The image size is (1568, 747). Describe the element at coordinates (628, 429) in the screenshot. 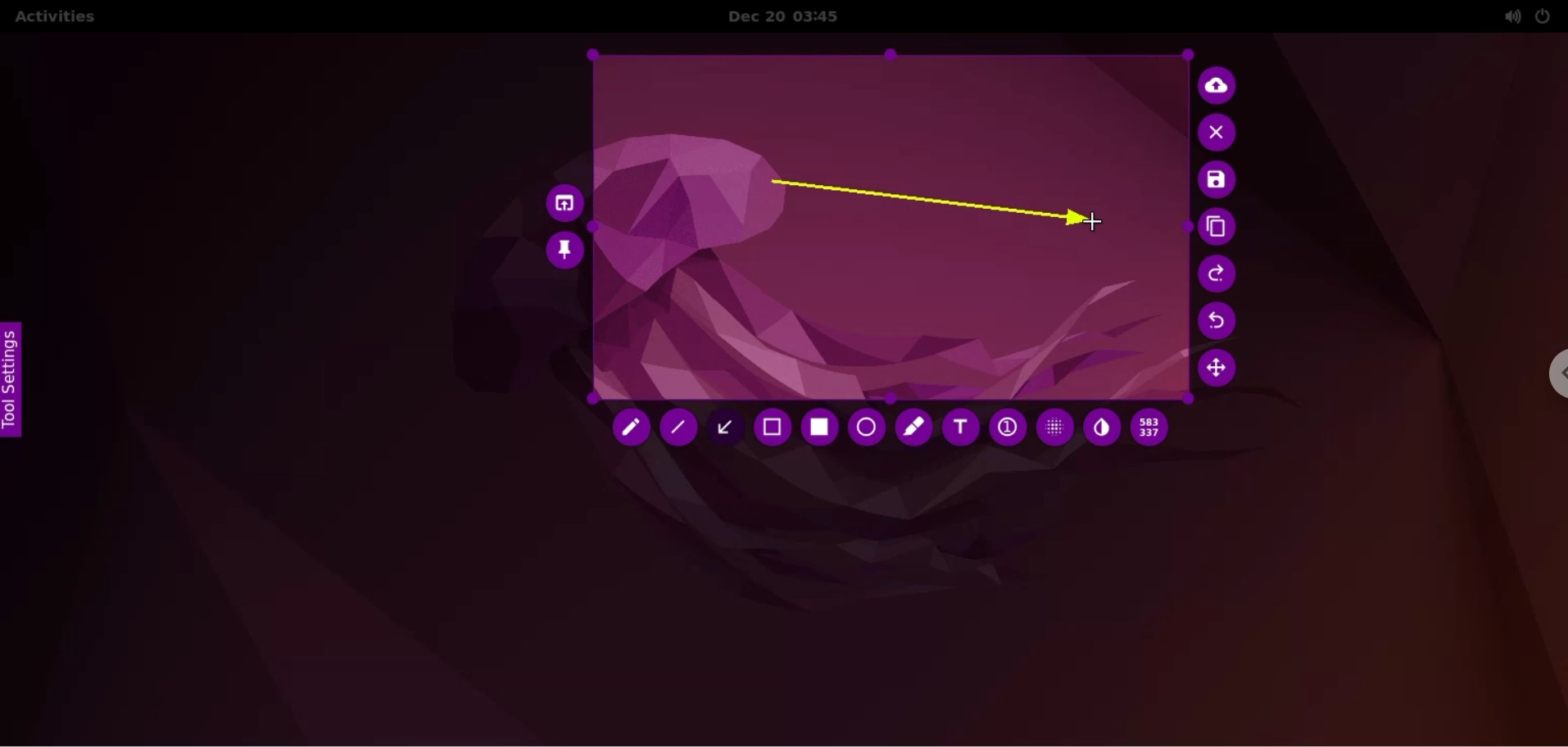

I see `pencil` at that location.